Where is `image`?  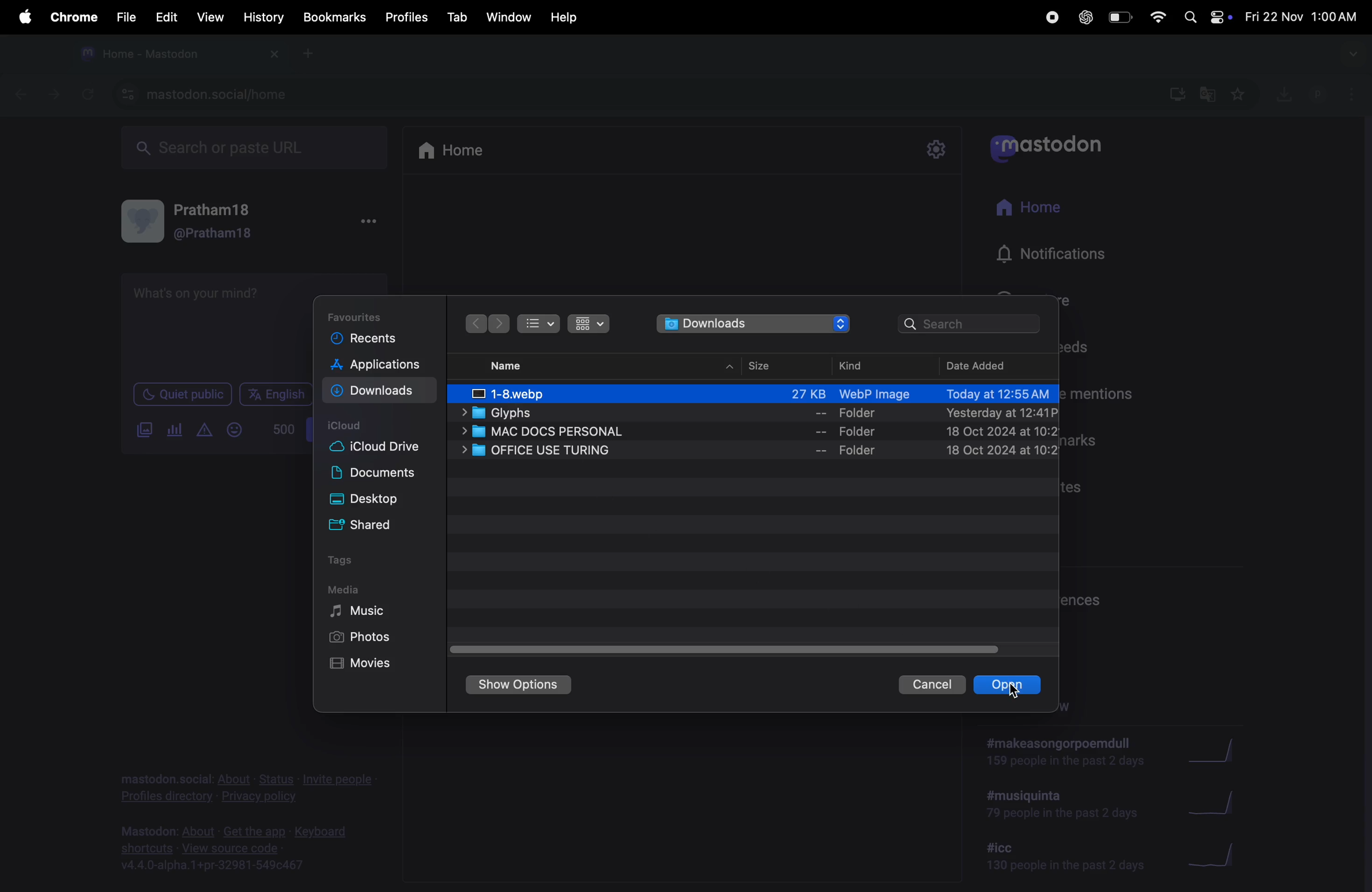 image is located at coordinates (763, 394).